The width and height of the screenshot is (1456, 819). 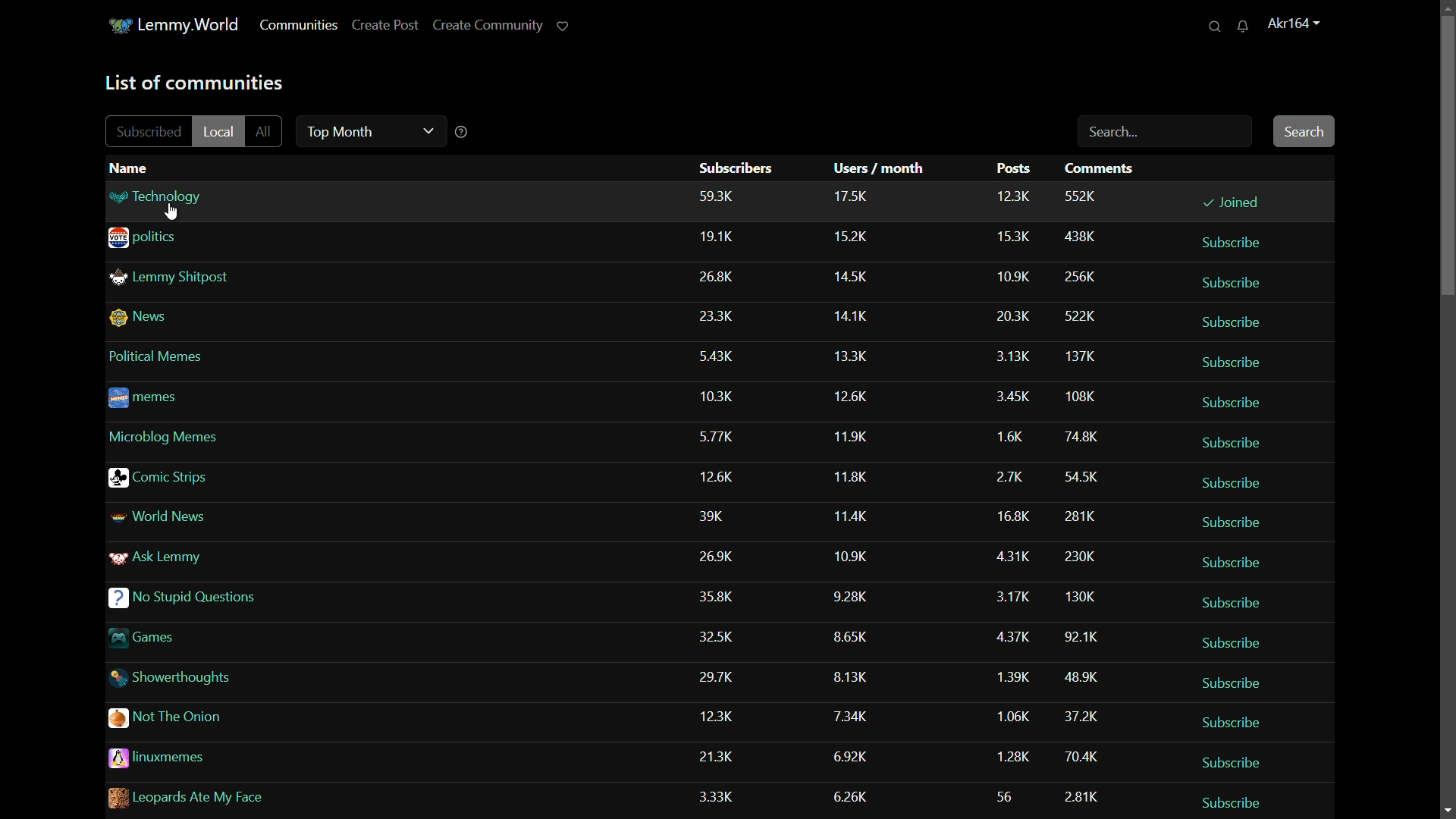 I want to click on subscribers, so click(x=737, y=168).